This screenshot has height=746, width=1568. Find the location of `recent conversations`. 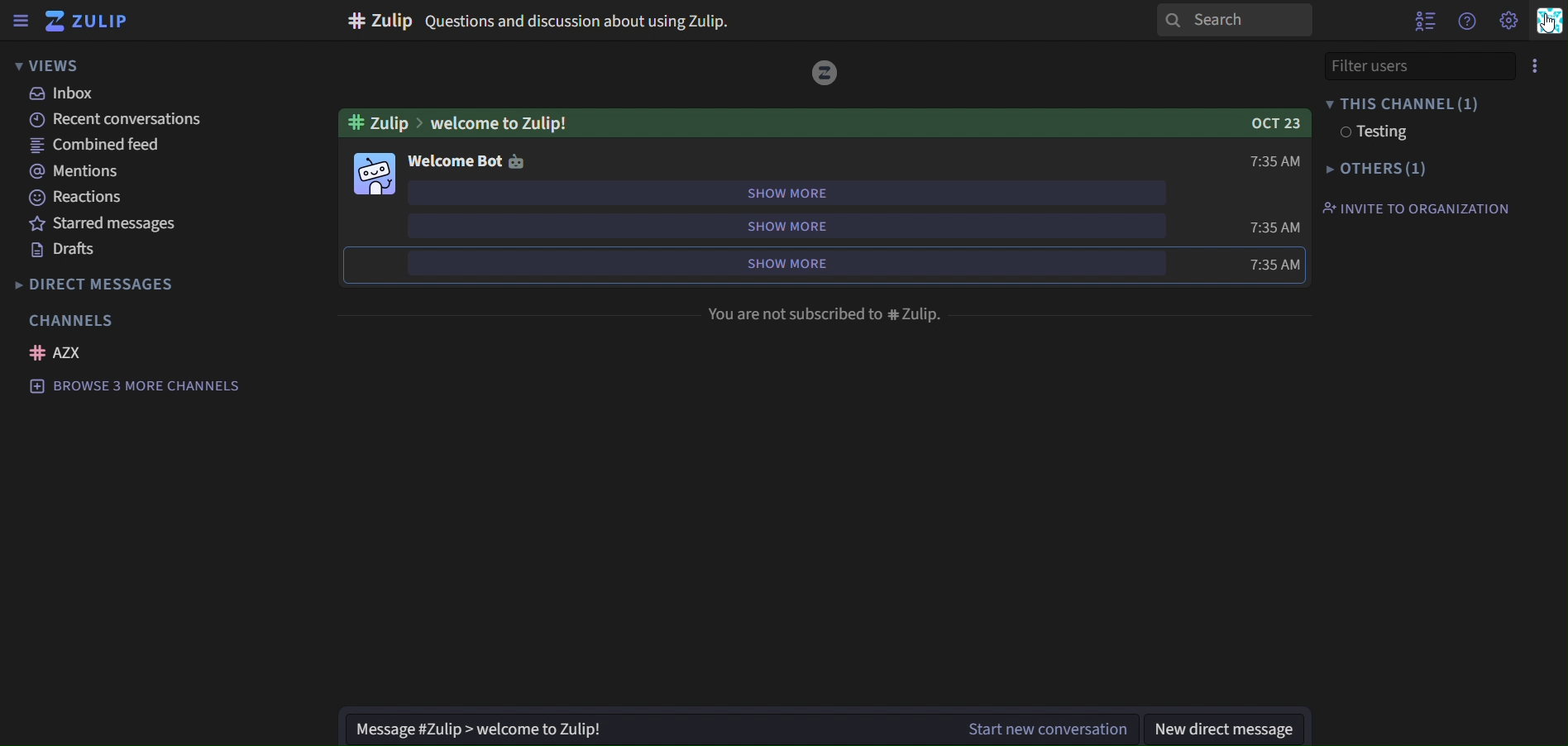

recent conversations is located at coordinates (113, 118).